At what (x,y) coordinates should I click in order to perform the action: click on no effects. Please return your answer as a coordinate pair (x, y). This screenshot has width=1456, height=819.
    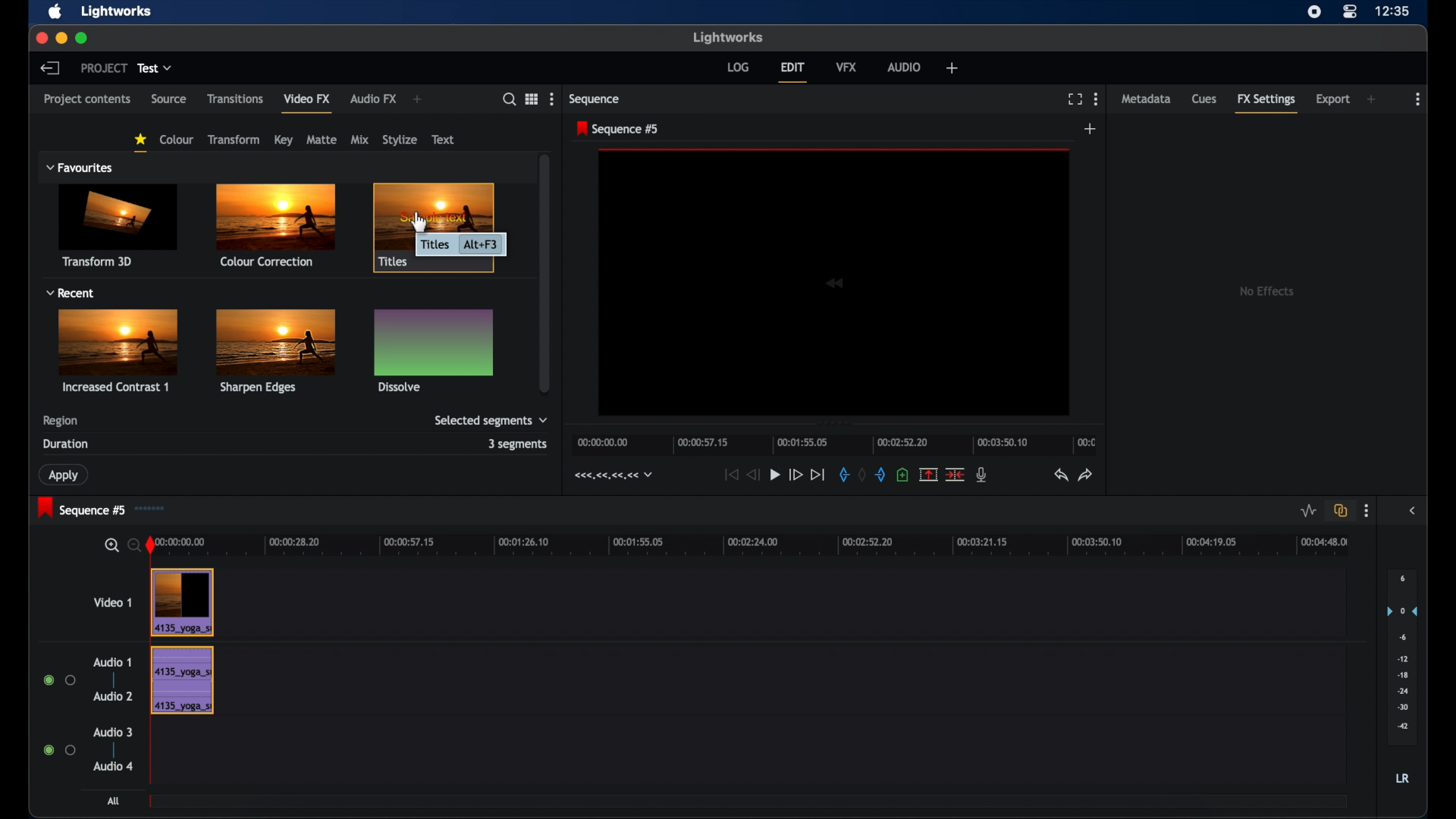
    Looking at the image, I should click on (1264, 292).